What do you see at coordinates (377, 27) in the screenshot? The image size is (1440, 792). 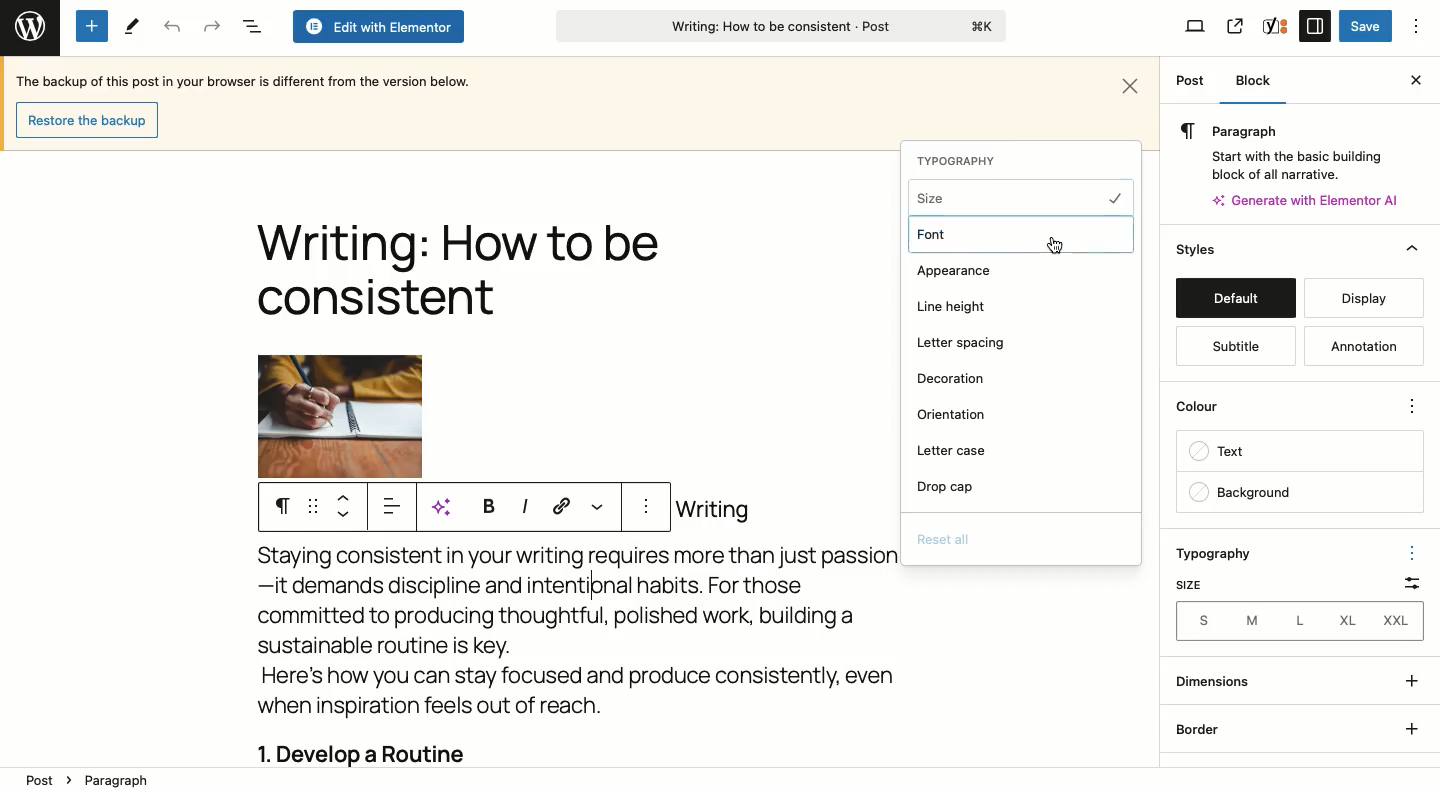 I see `Edit with elementor` at bounding box center [377, 27].